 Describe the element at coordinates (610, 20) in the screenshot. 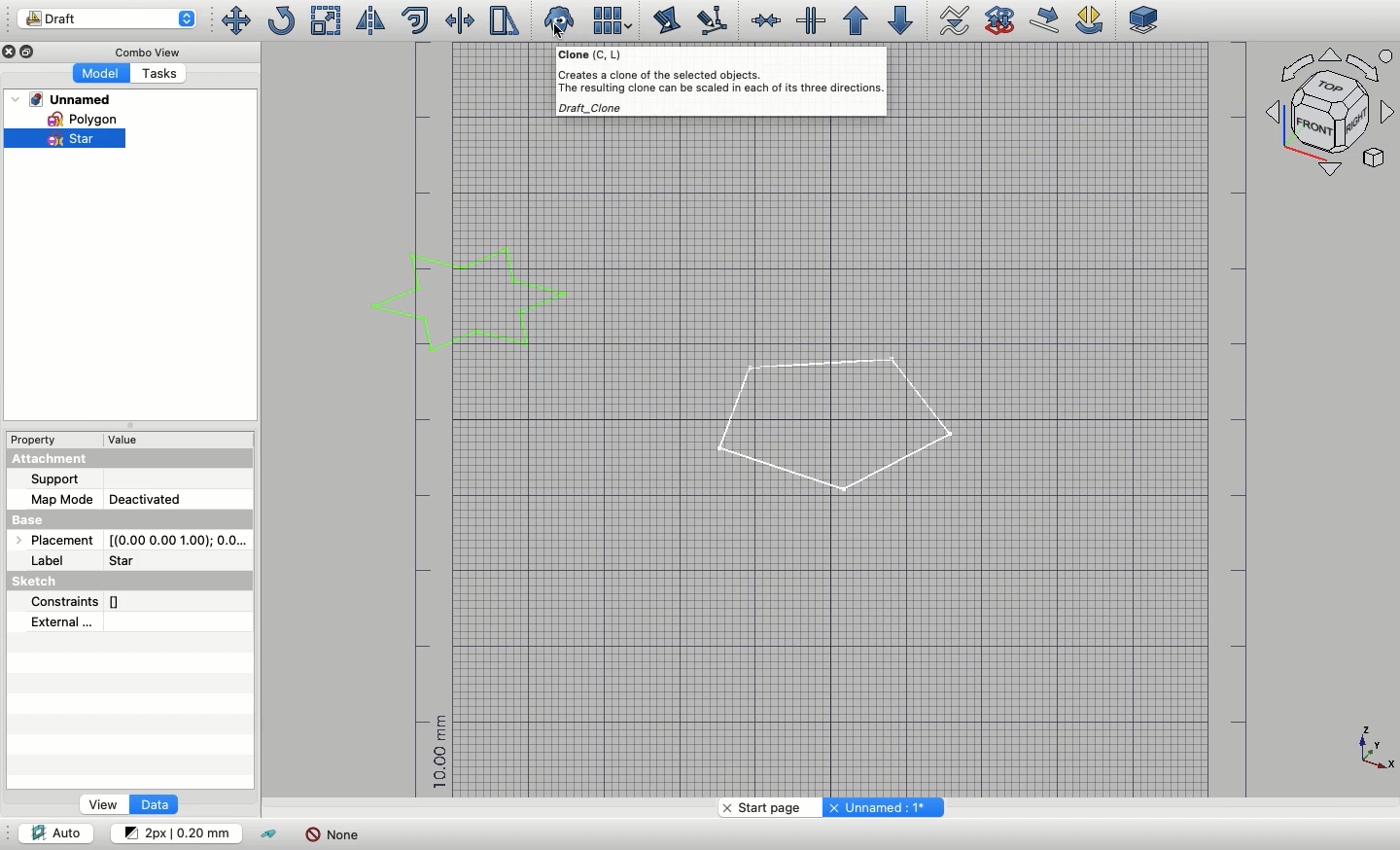

I see `Array tools` at that location.